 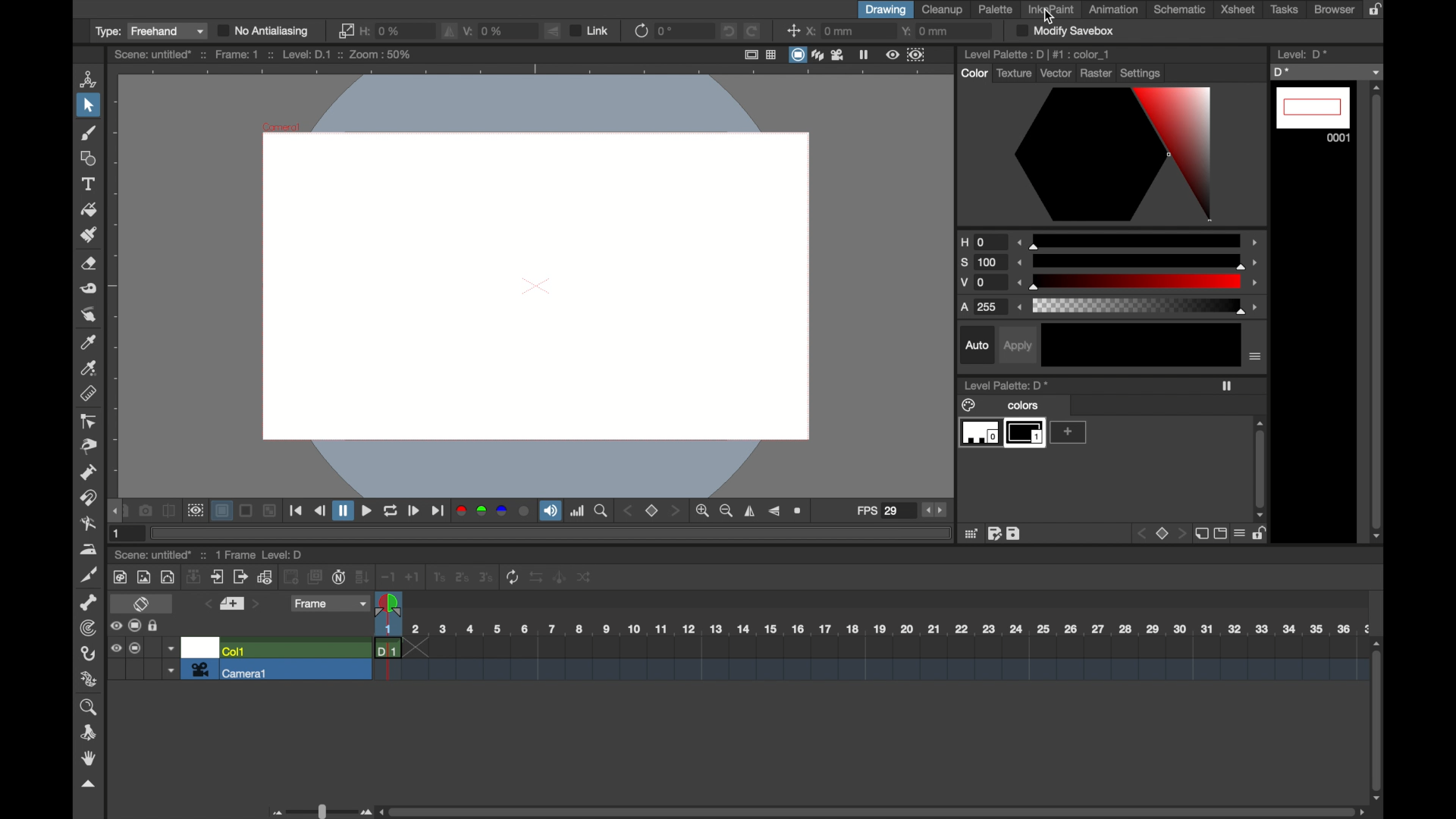 What do you see at coordinates (1006, 384) in the screenshot?
I see `level palette: D*` at bounding box center [1006, 384].